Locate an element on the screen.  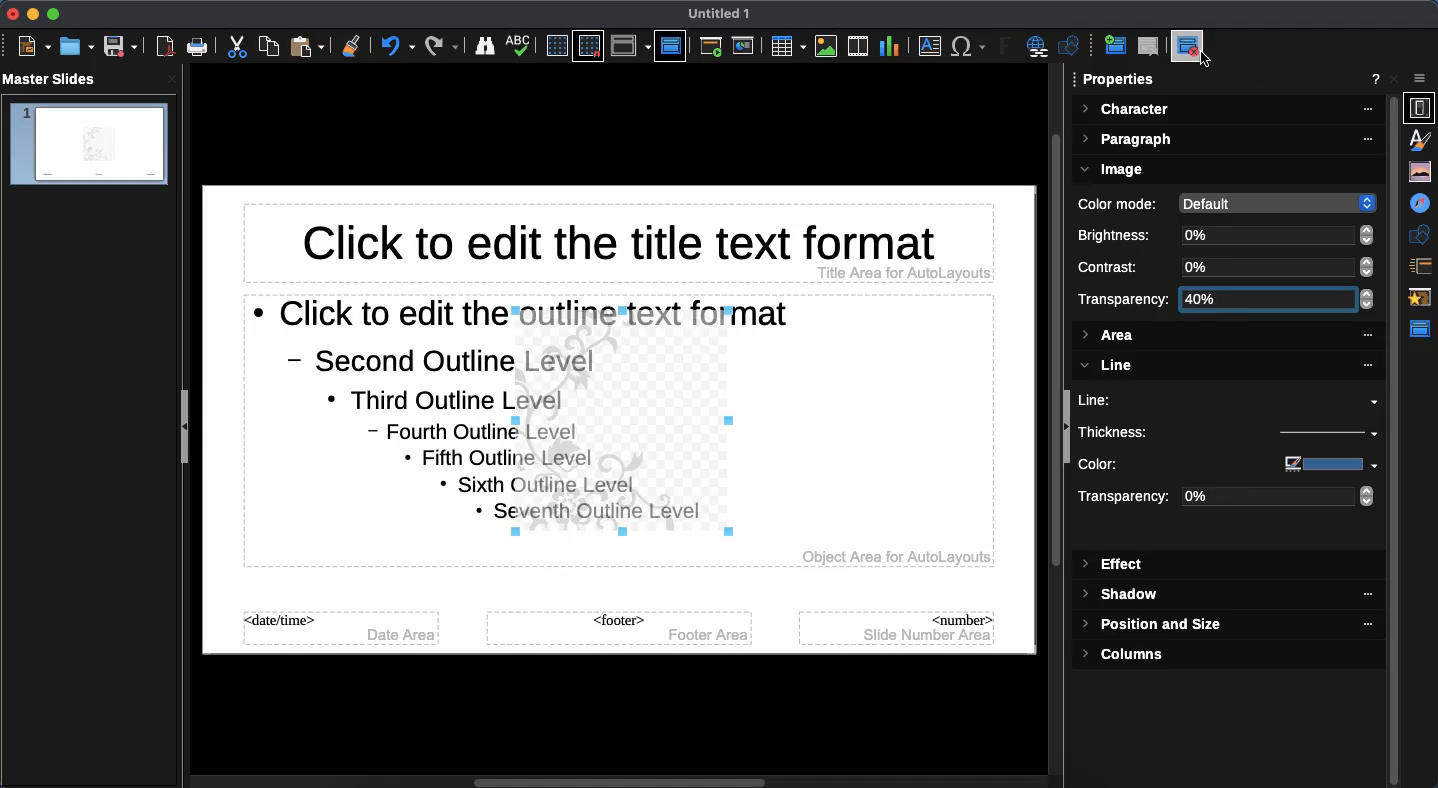
default is located at coordinates (1274, 202).